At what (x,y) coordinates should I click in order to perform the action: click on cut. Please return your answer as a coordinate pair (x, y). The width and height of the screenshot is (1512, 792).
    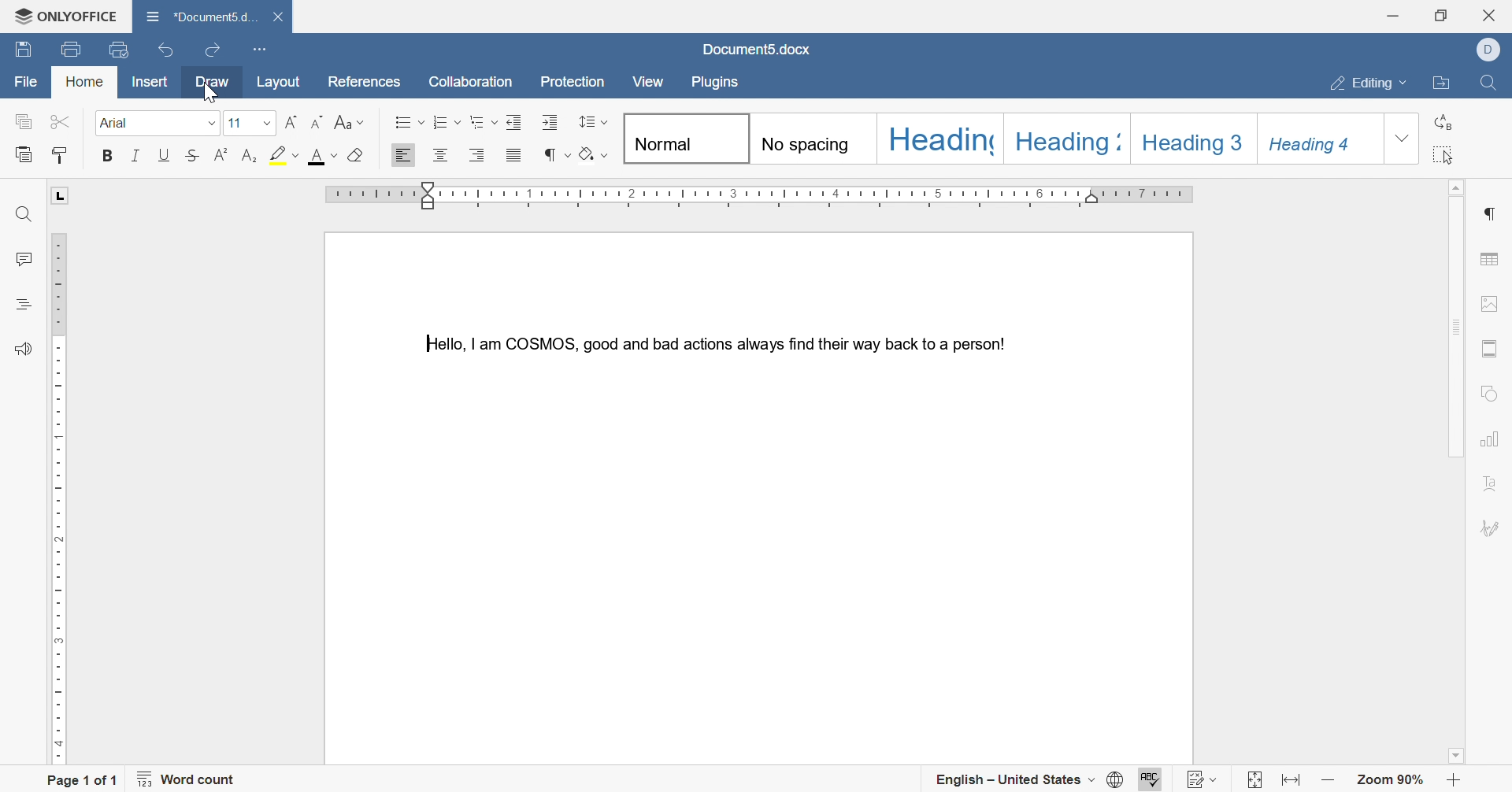
    Looking at the image, I should click on (57, 120).